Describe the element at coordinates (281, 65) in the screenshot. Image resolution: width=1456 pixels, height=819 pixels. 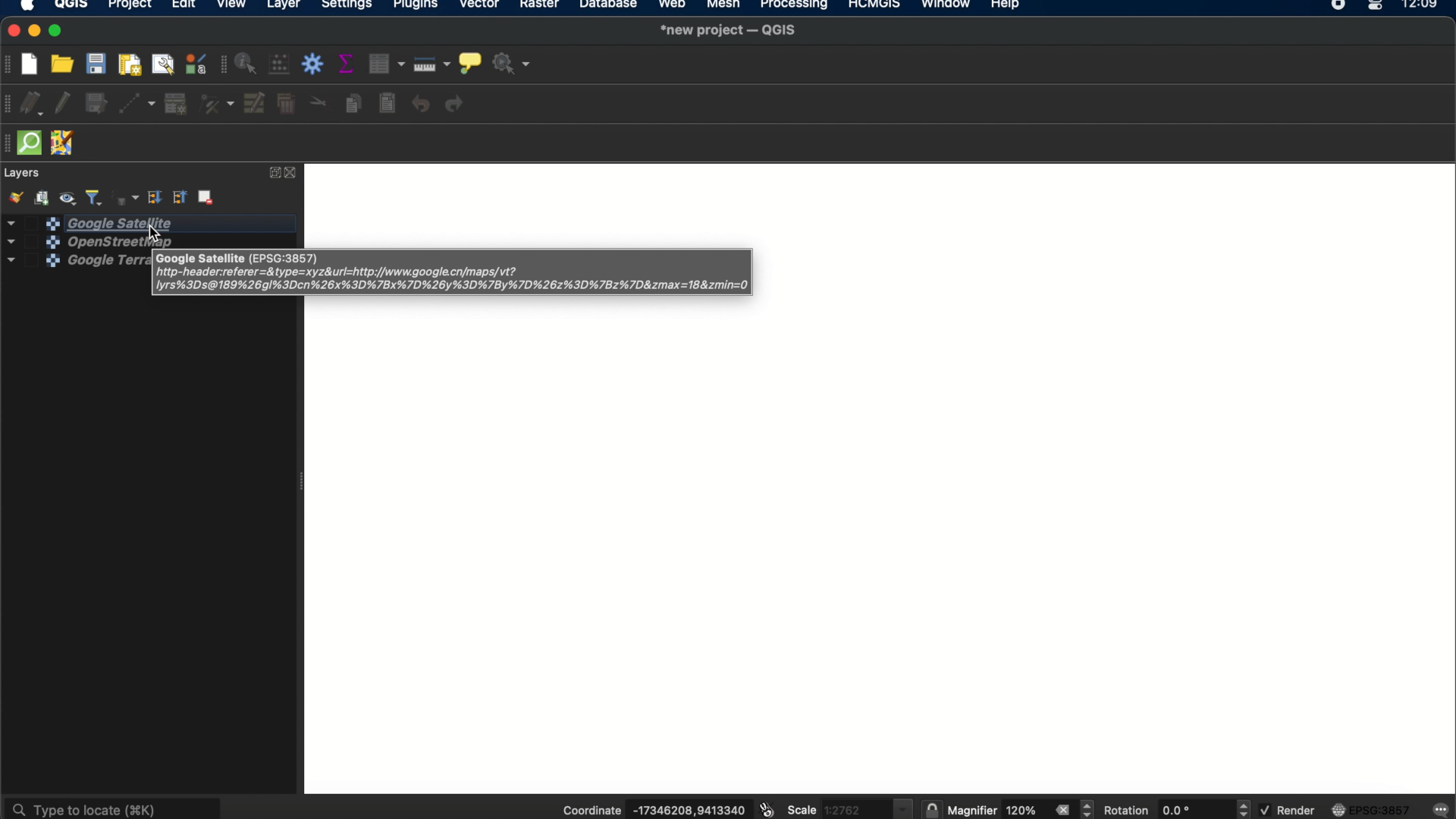
I see `open field calculator` at that location.